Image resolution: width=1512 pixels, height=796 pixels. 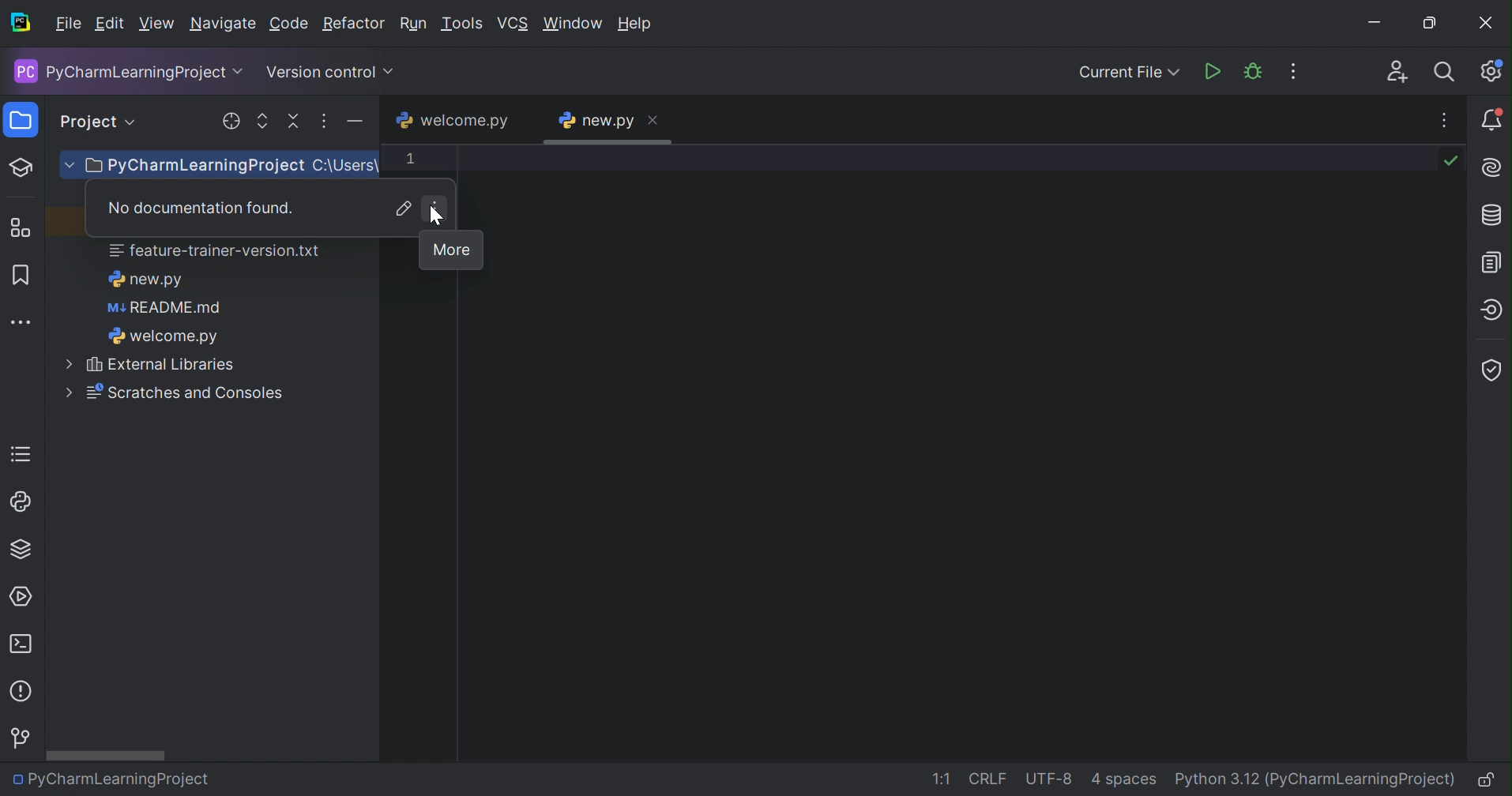 I want to click on Tools, so click(x=463, y=24).